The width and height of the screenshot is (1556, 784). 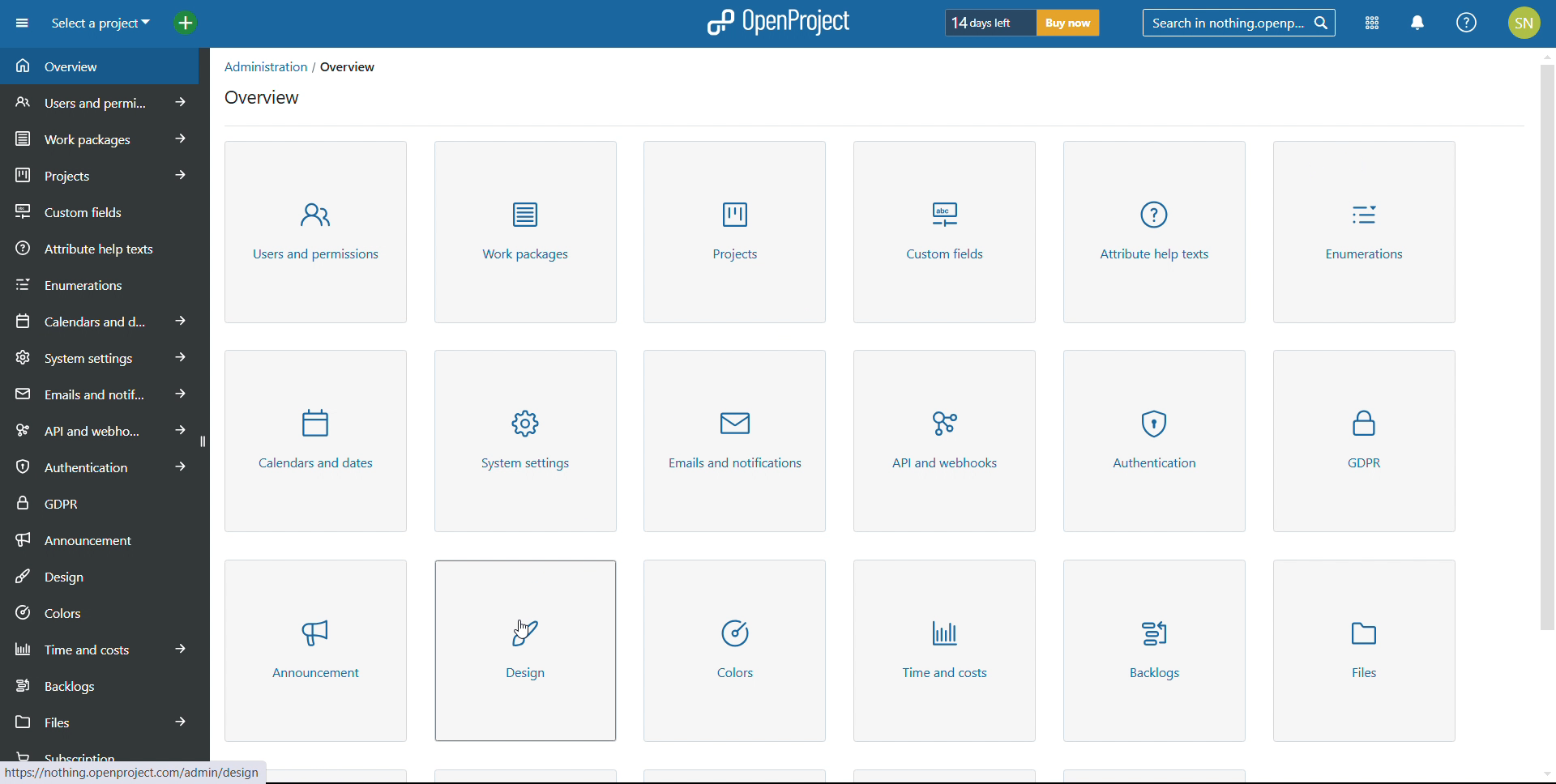 I want to click on authentication, so click(x=1152, y=441).